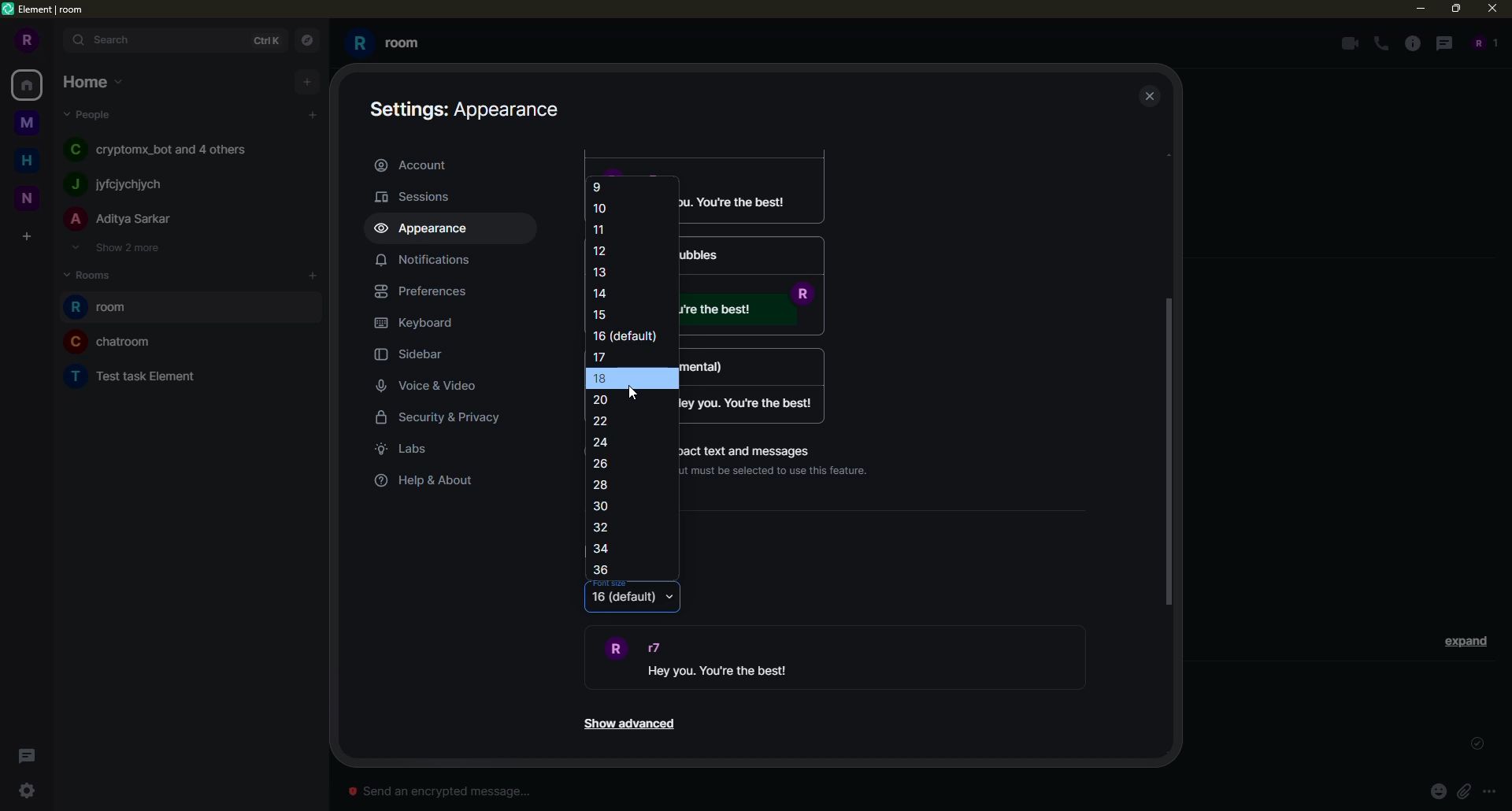  Describe the element at coordinates (619, 378) in the screenshot. I see `18` at that location.